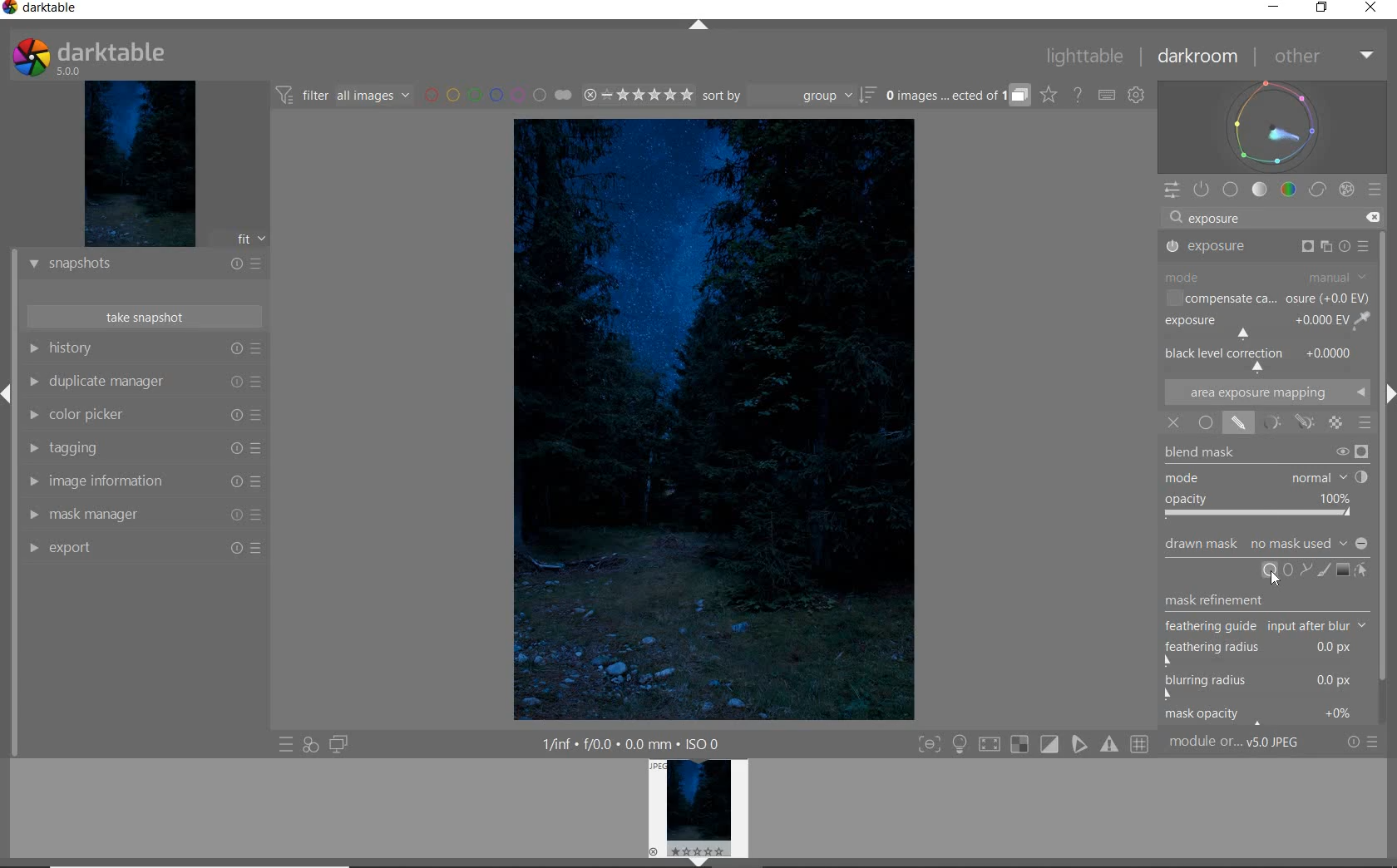  I want to click on EXPORT, so click(144, 550).